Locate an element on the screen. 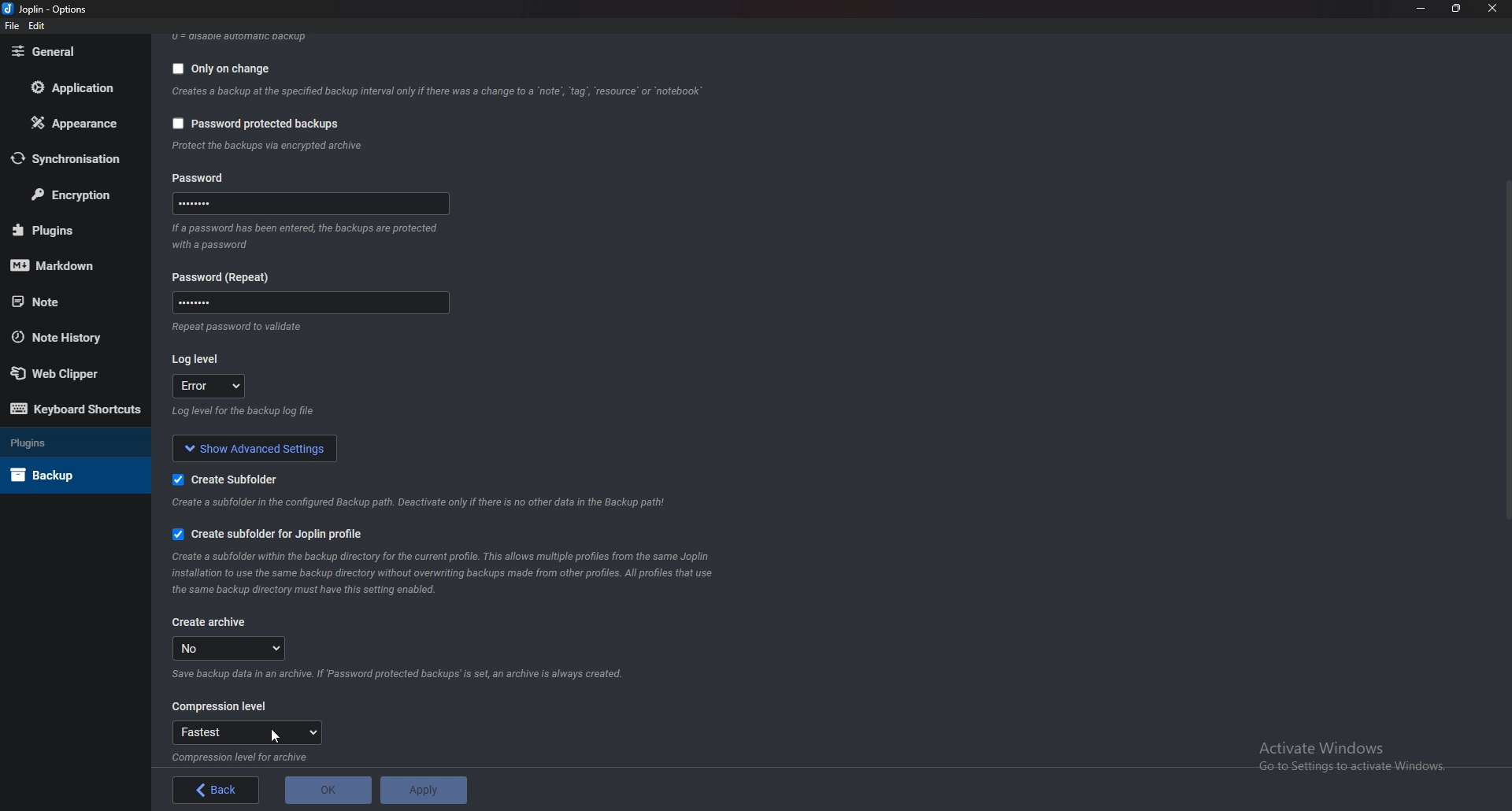 The height and width of the screenshot is (811, 1512). password is located at coordinates (202, 178).